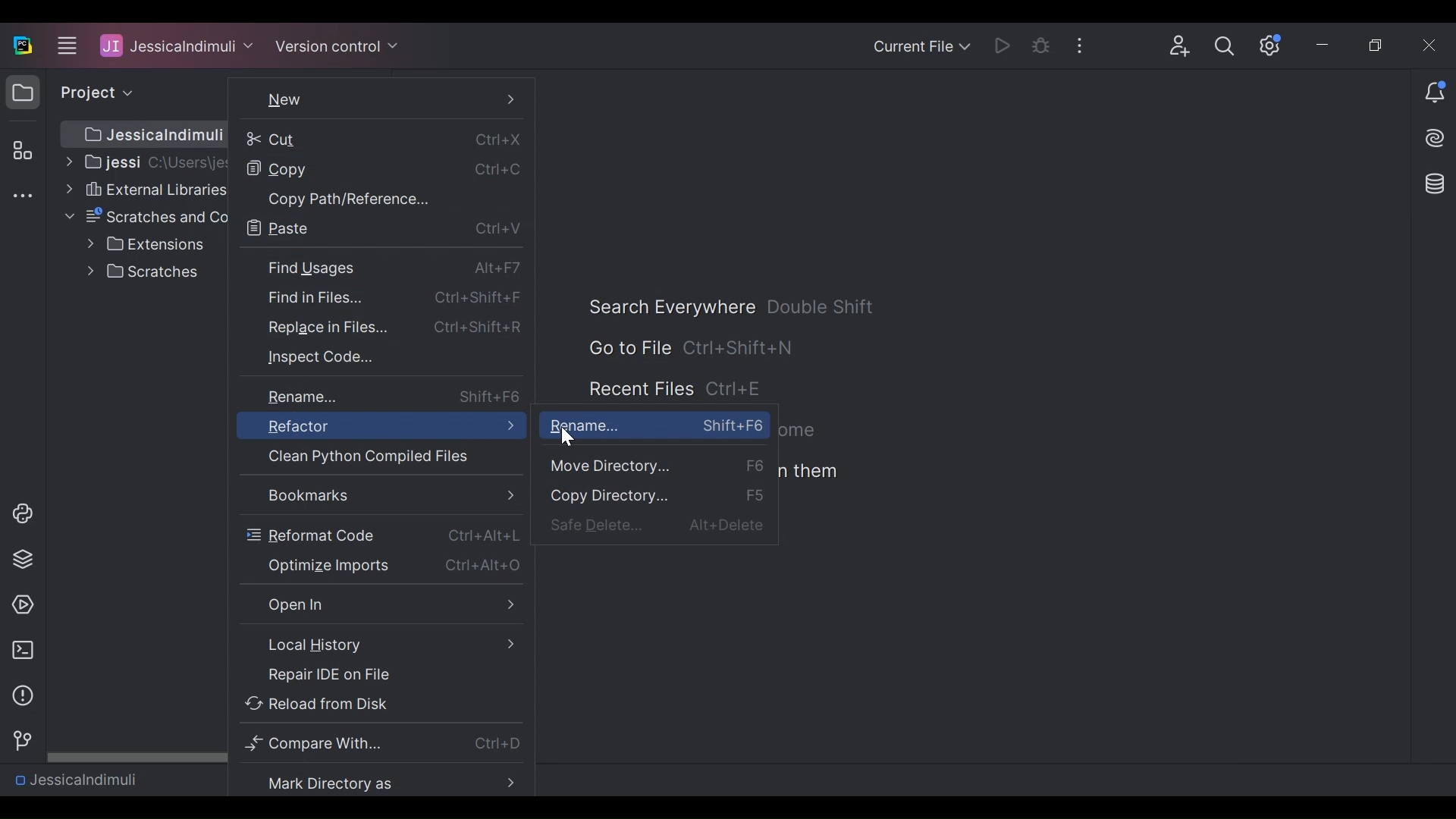 Image resolution: width=1456 pixels, height=819 pixels. What do you see at coordinates (1431, 45) in the screenshot?
I see `Close` at bounding box center [1431, 45].